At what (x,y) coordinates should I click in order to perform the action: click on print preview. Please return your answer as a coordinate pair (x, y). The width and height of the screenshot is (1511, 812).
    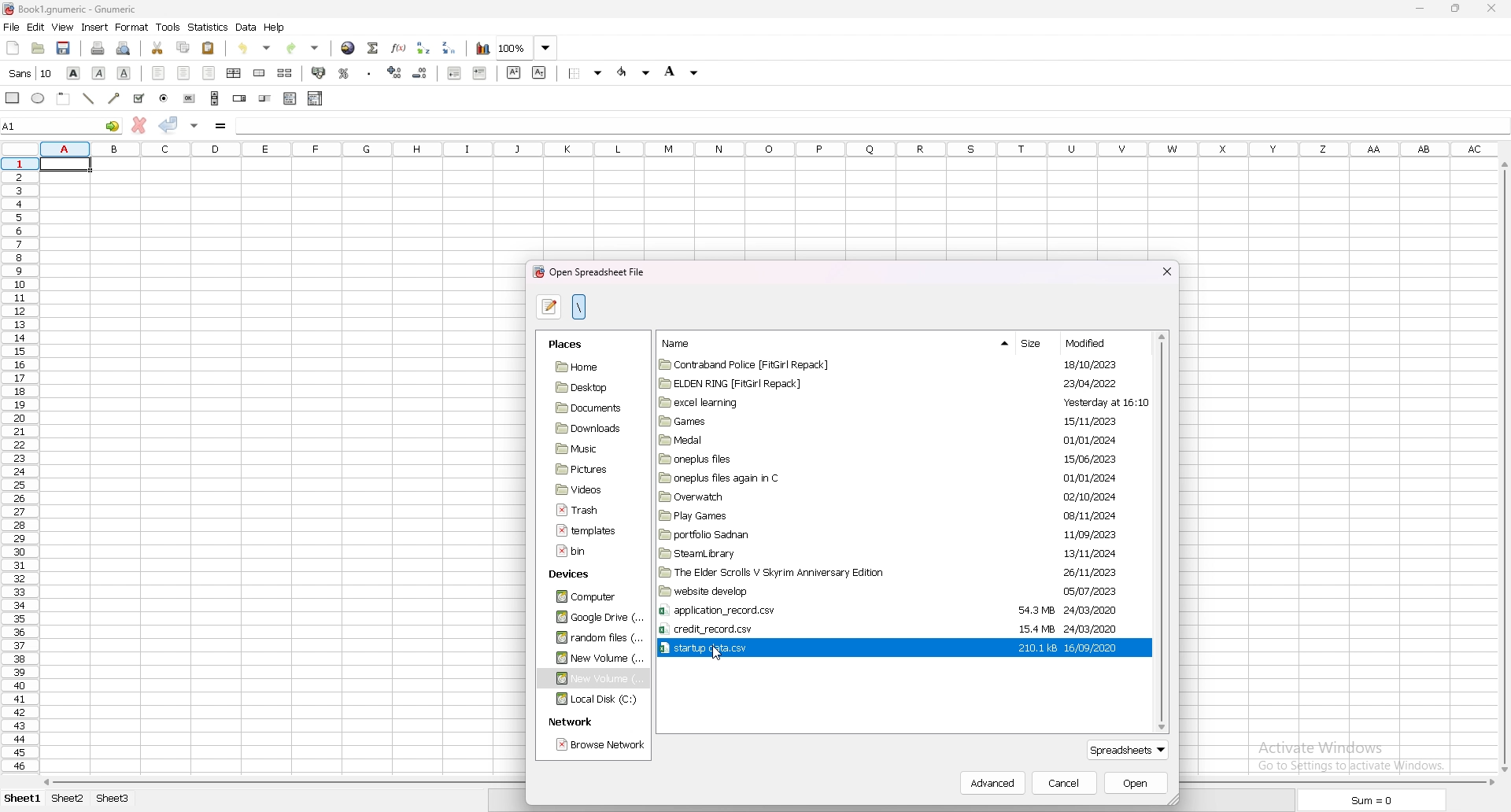
    Looking at the image, I should click on (126, 49).